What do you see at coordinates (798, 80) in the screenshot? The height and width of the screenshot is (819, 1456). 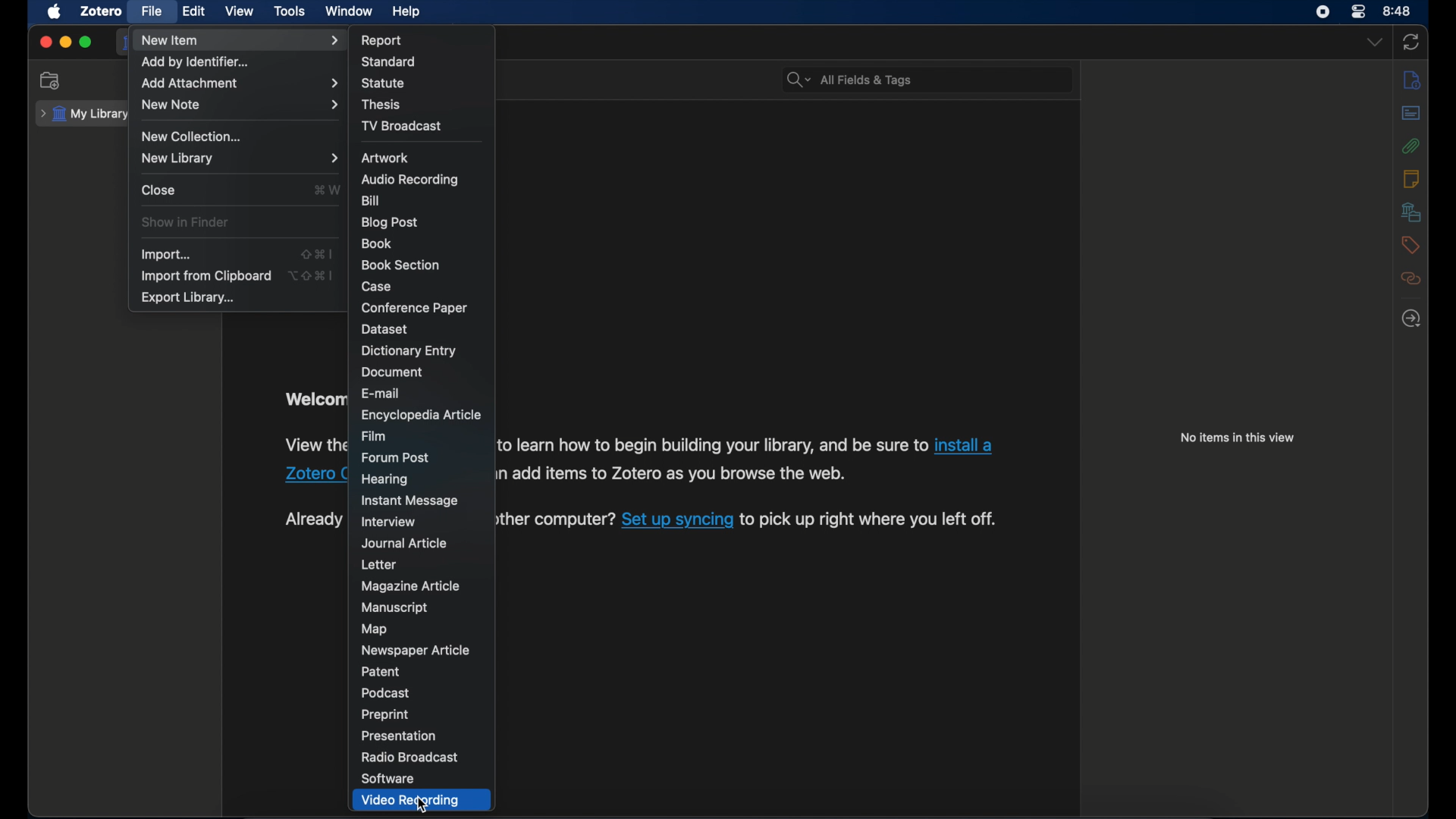 I see `search dropdown` at bounding box center [798, 80].